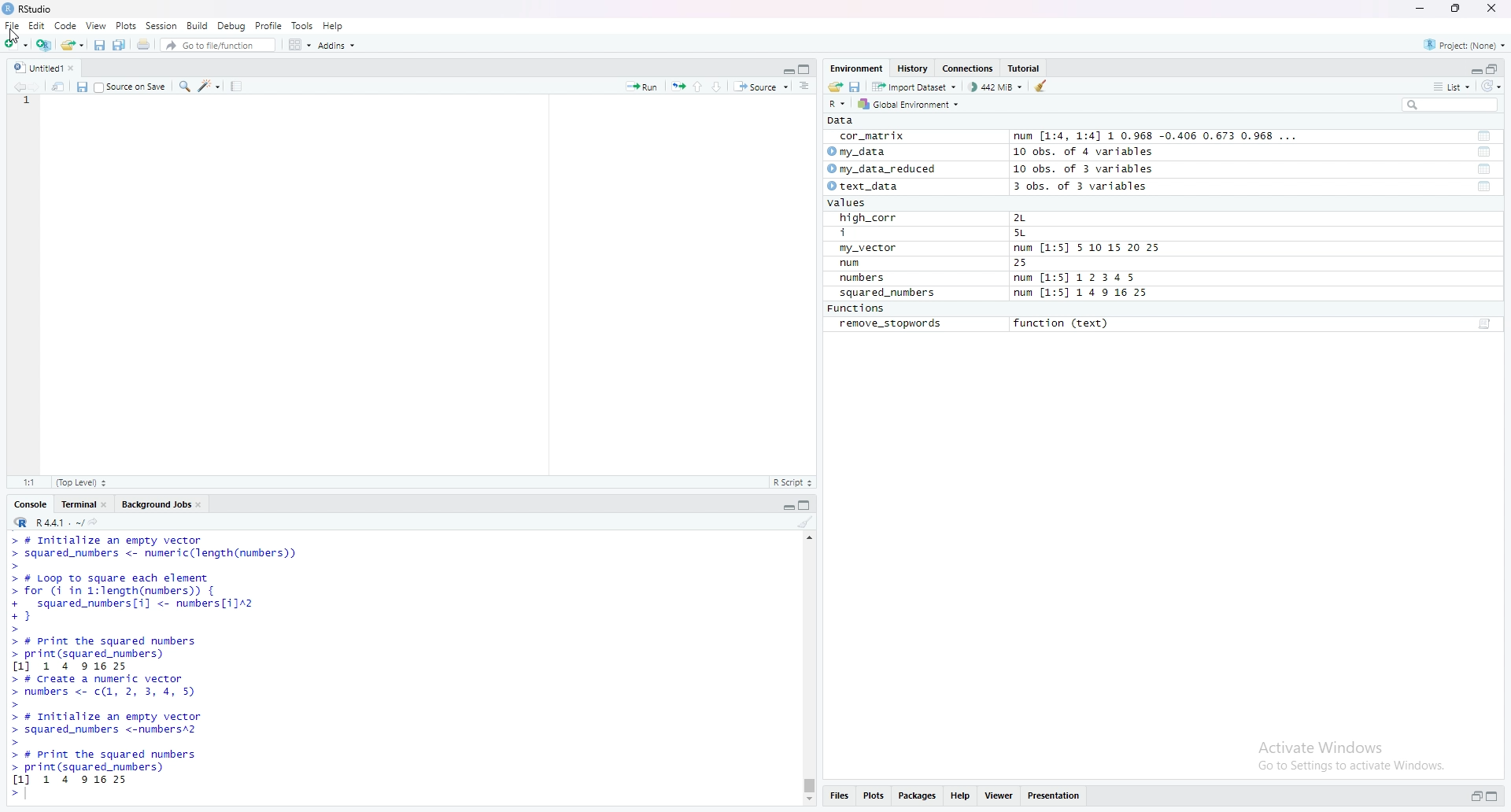  What do you see at coordinates (201, 504) in the screenshot?
I see `close` at bounding box center [201, 504].